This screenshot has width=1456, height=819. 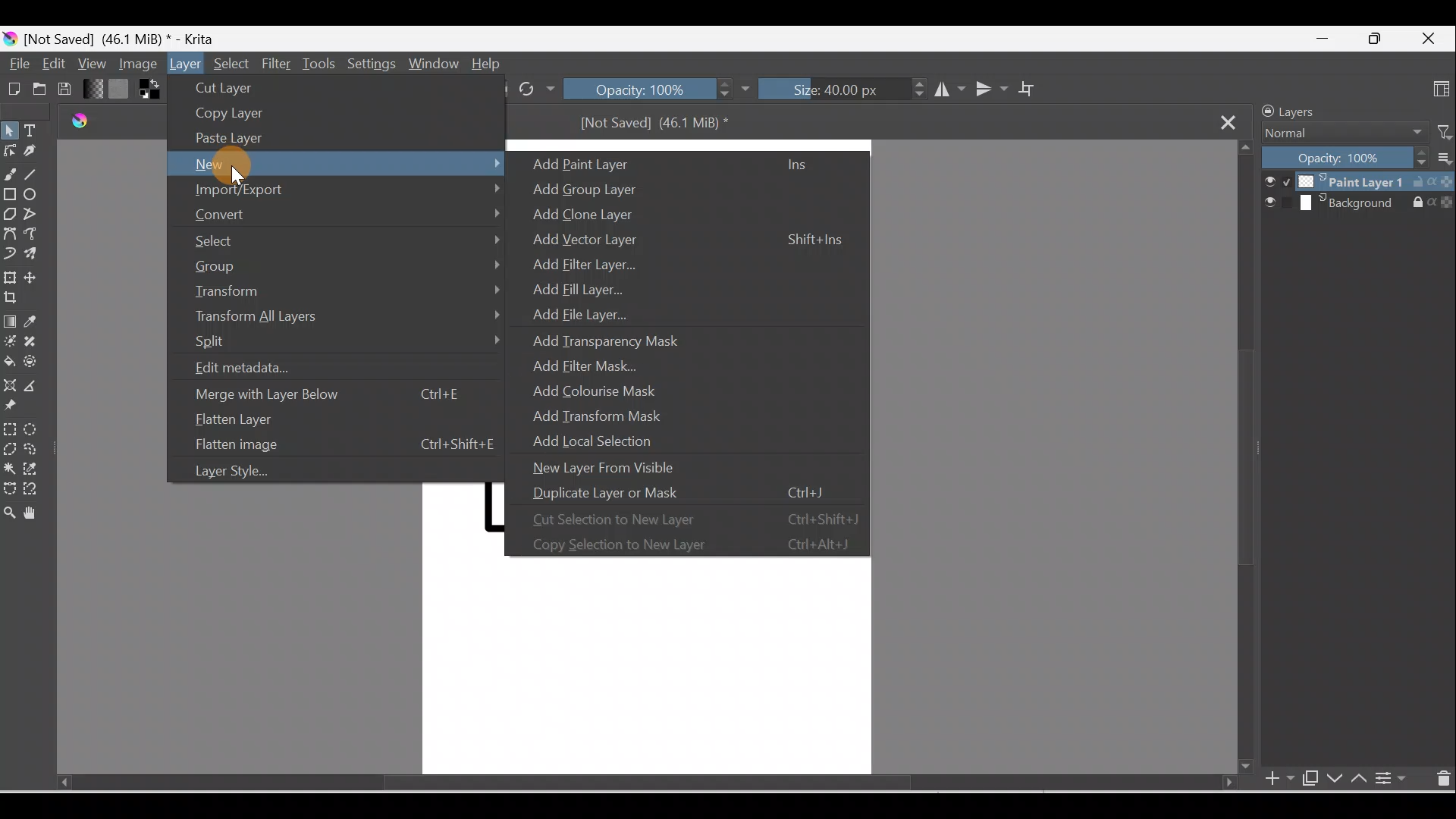 I want to click on Pan tool, so click(x=34, y=513).